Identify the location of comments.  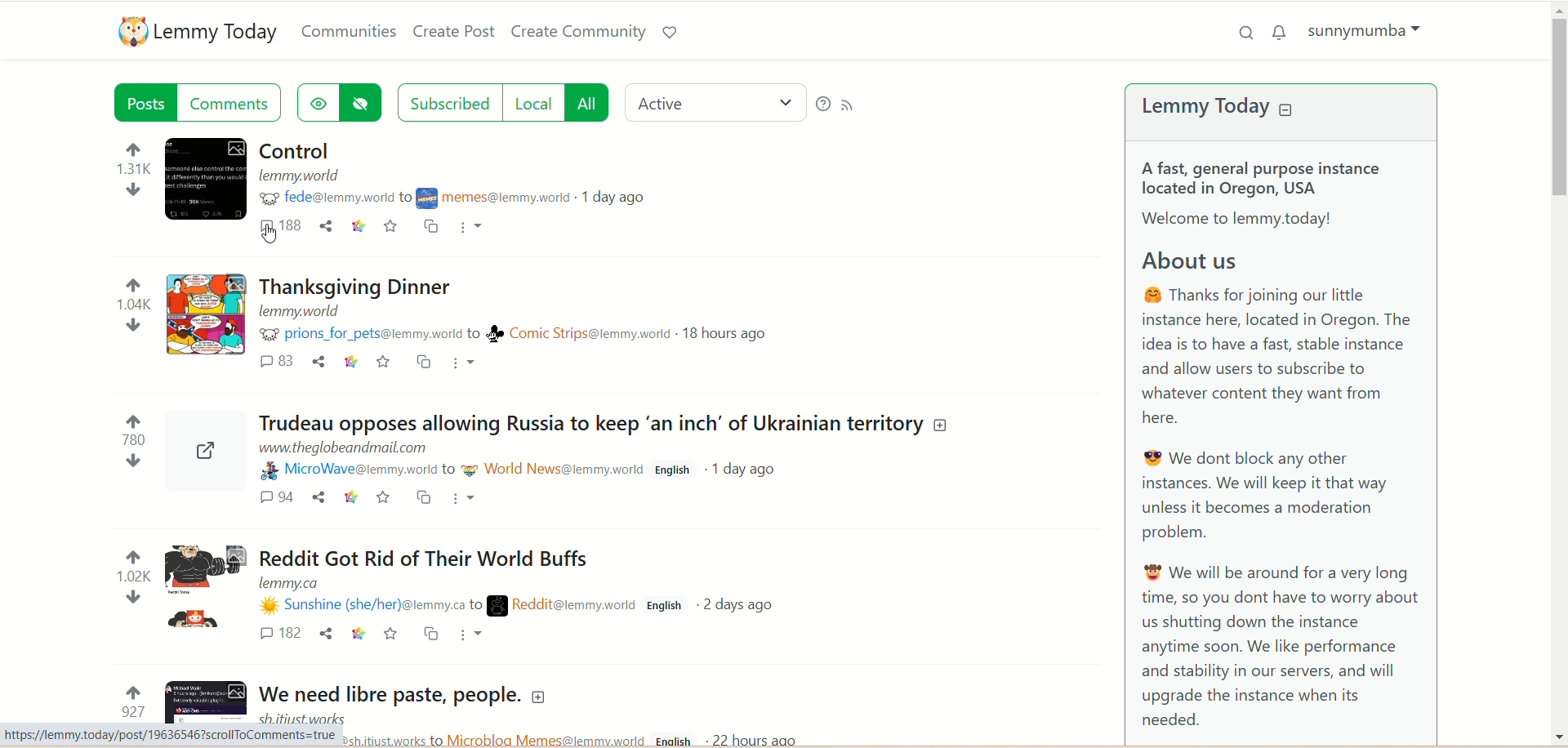
(271, 500).